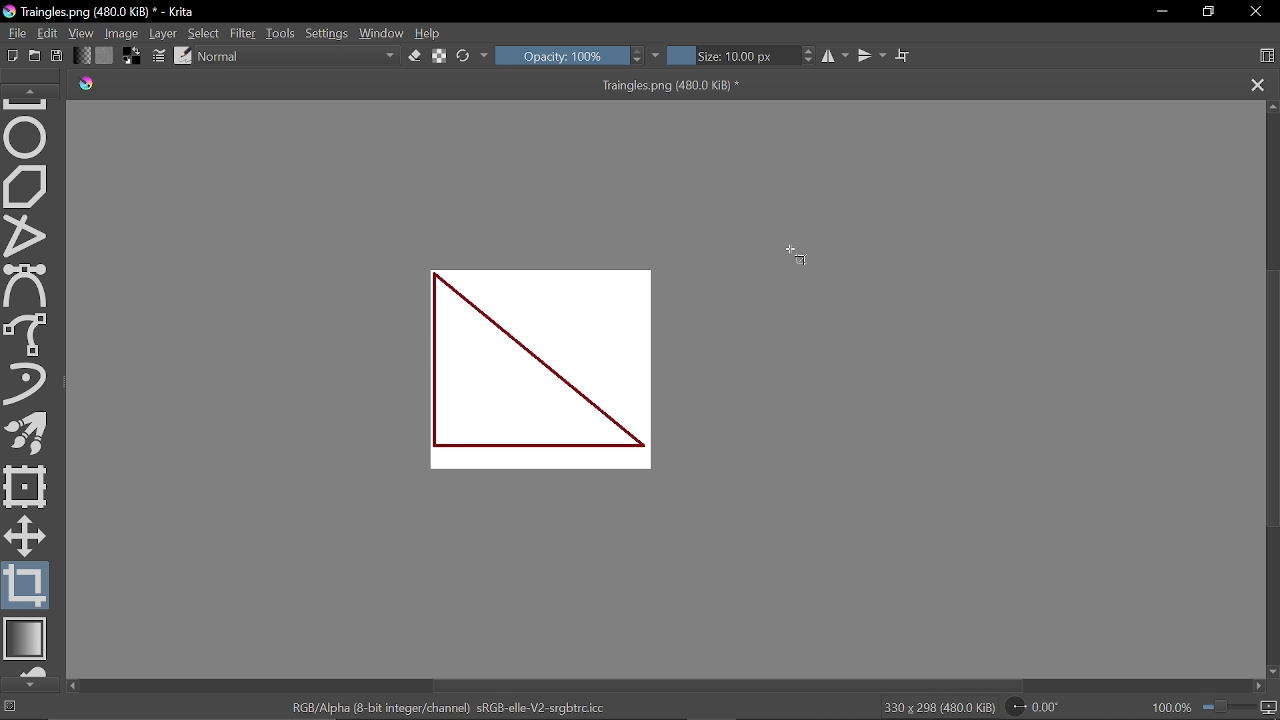  What do you see at coordinates (1267, 57) in the screenshot?
I see `Choose workspace` at bounding box center [1267, 57].